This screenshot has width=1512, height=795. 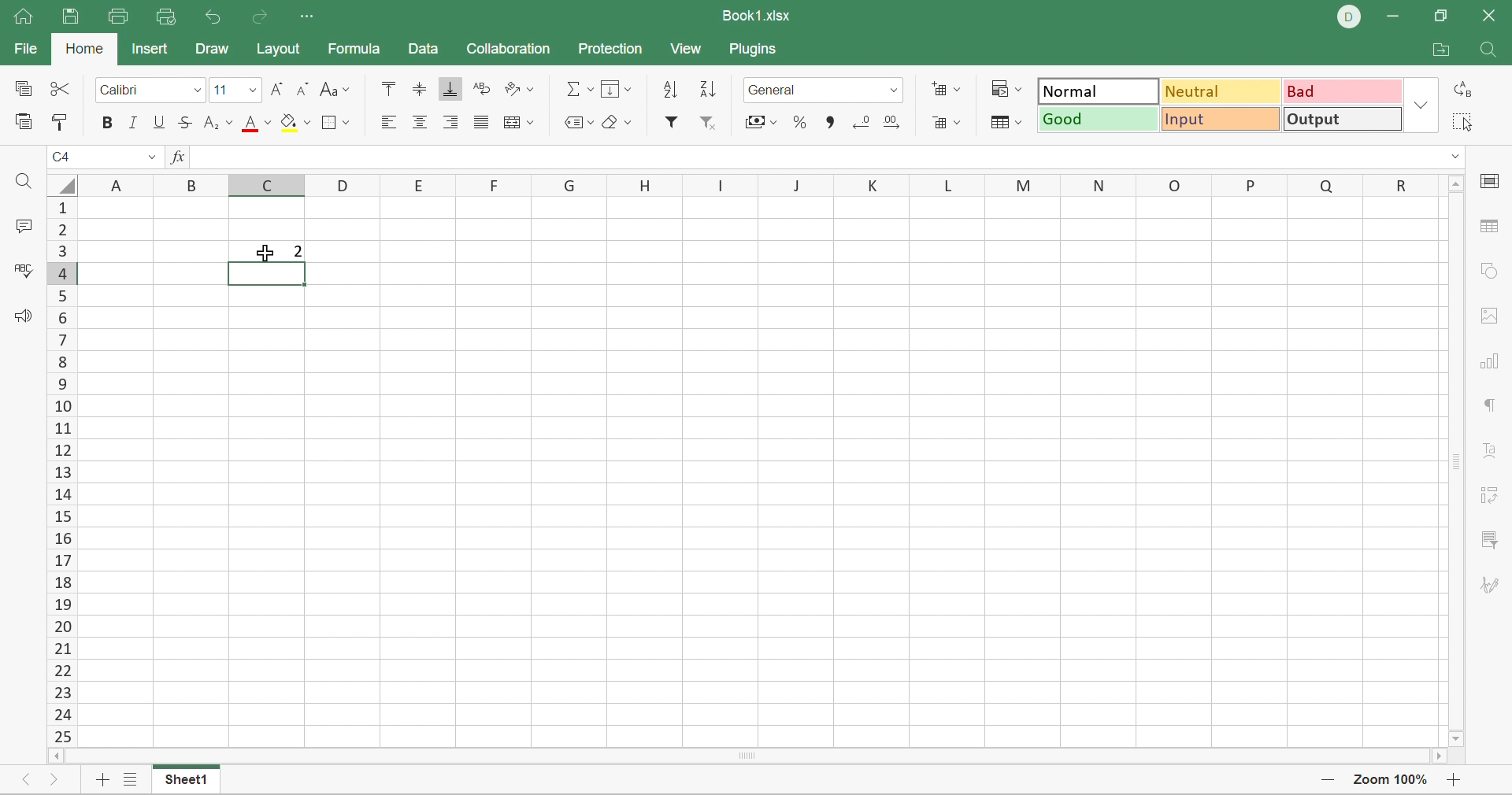 I want to click on Copy style, so click(x=61, y=121).